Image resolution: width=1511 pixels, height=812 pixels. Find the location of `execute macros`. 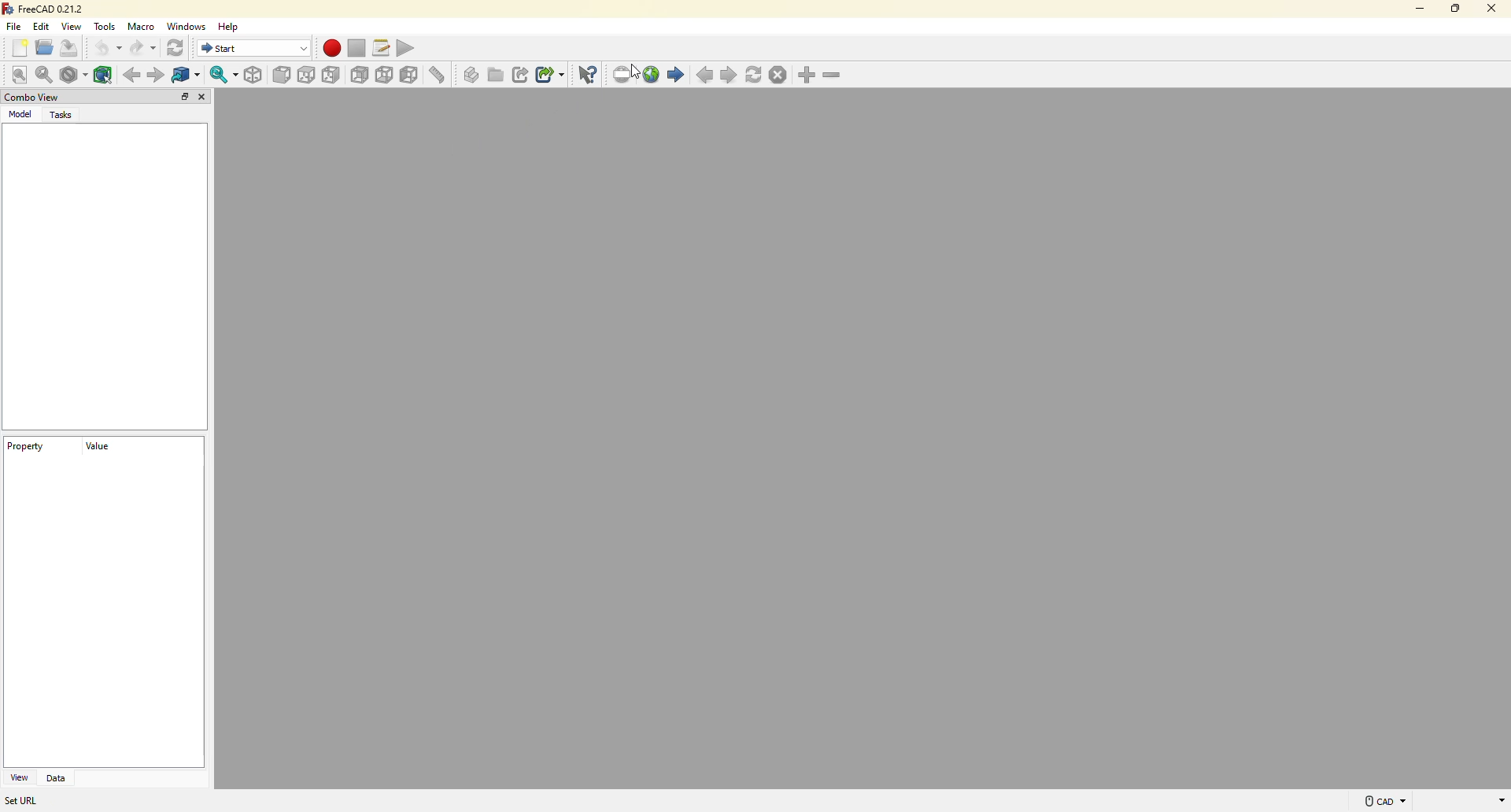

execute macros is located at coordinates (411, 46).